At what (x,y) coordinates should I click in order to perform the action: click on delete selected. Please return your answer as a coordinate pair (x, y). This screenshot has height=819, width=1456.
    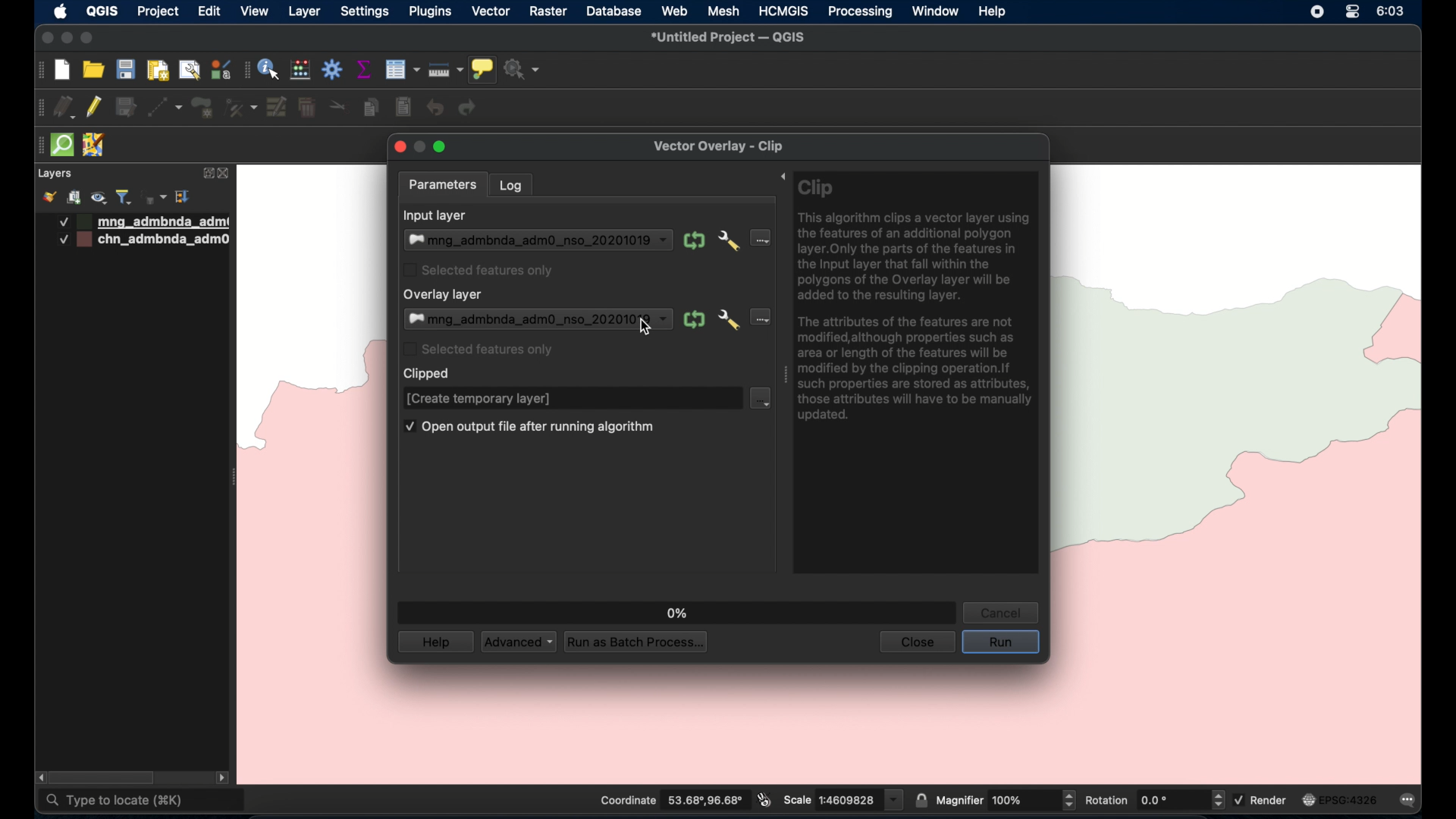
    Looking at the image, I should click on (307, 108).